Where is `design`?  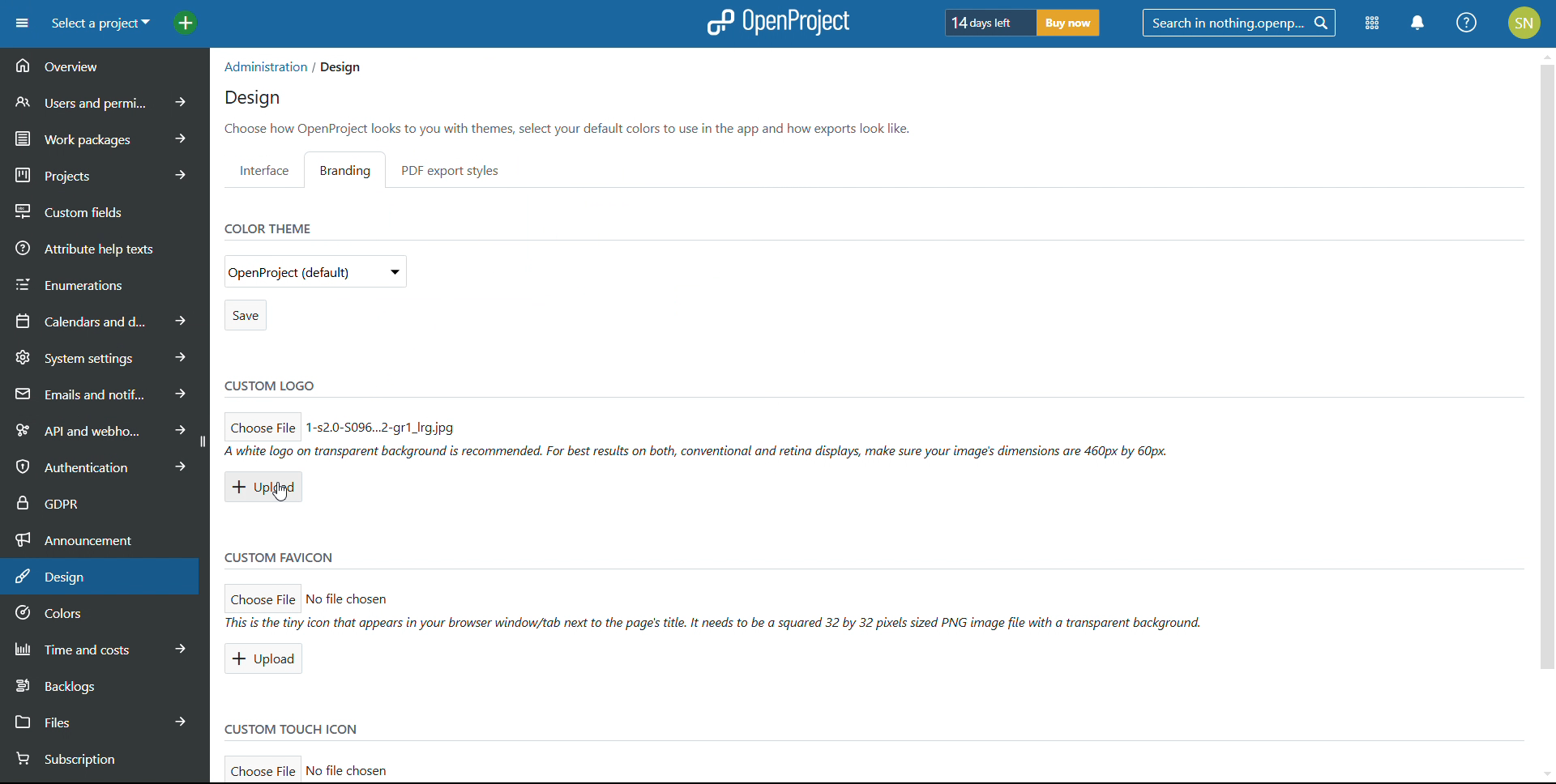 design is located at coordinates (253, 99).